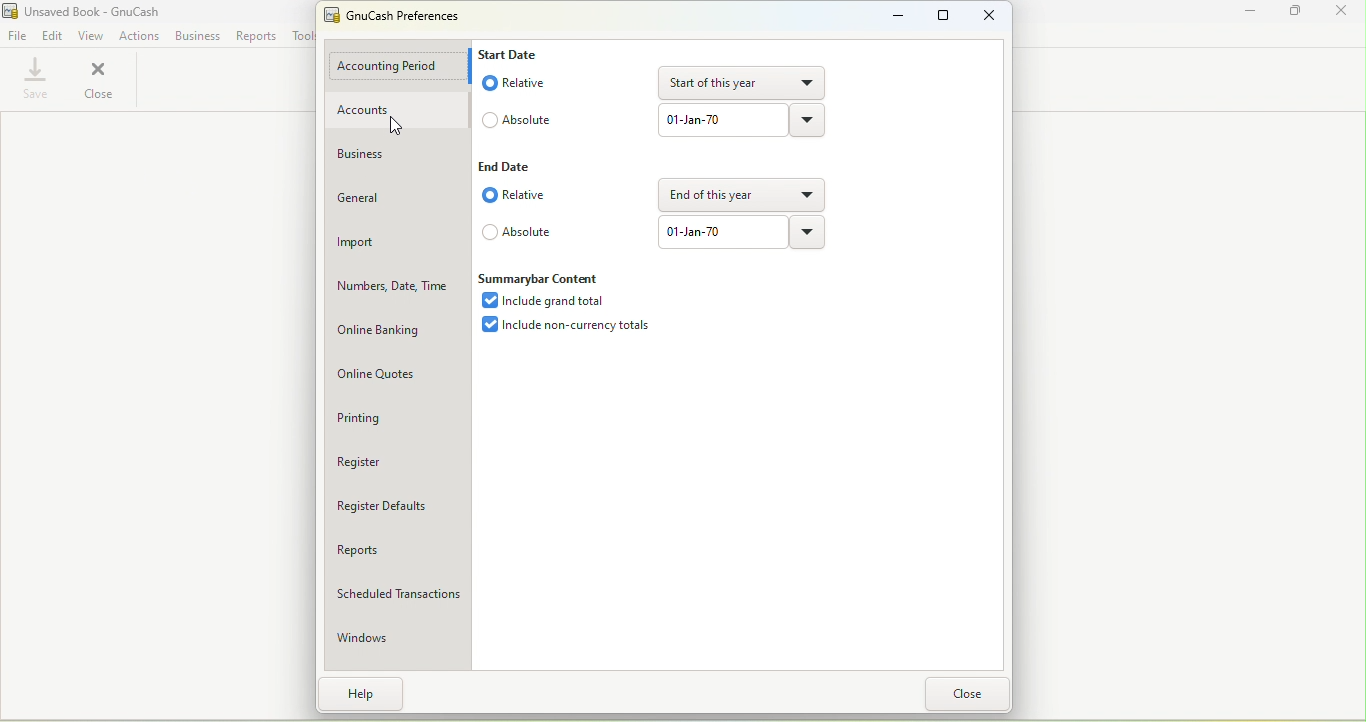 This screenshot has width=1366, height=722. What do you see at coordinates (400, 640) in the screenshot?
I see `Windows` at bounding box center [400, 640].